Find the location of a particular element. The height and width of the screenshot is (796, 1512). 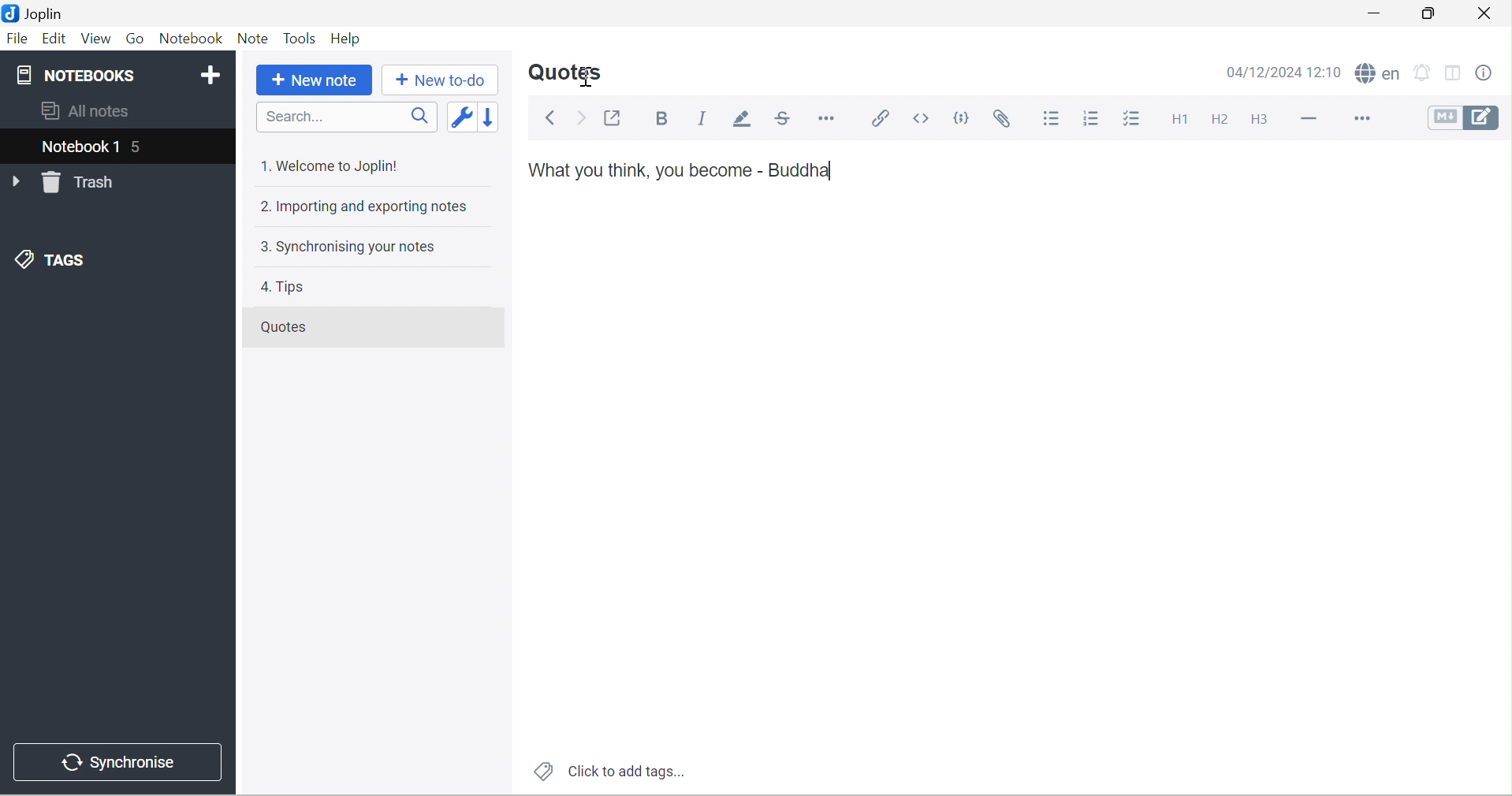

Restore Down is located at coordinates (1432, 13).